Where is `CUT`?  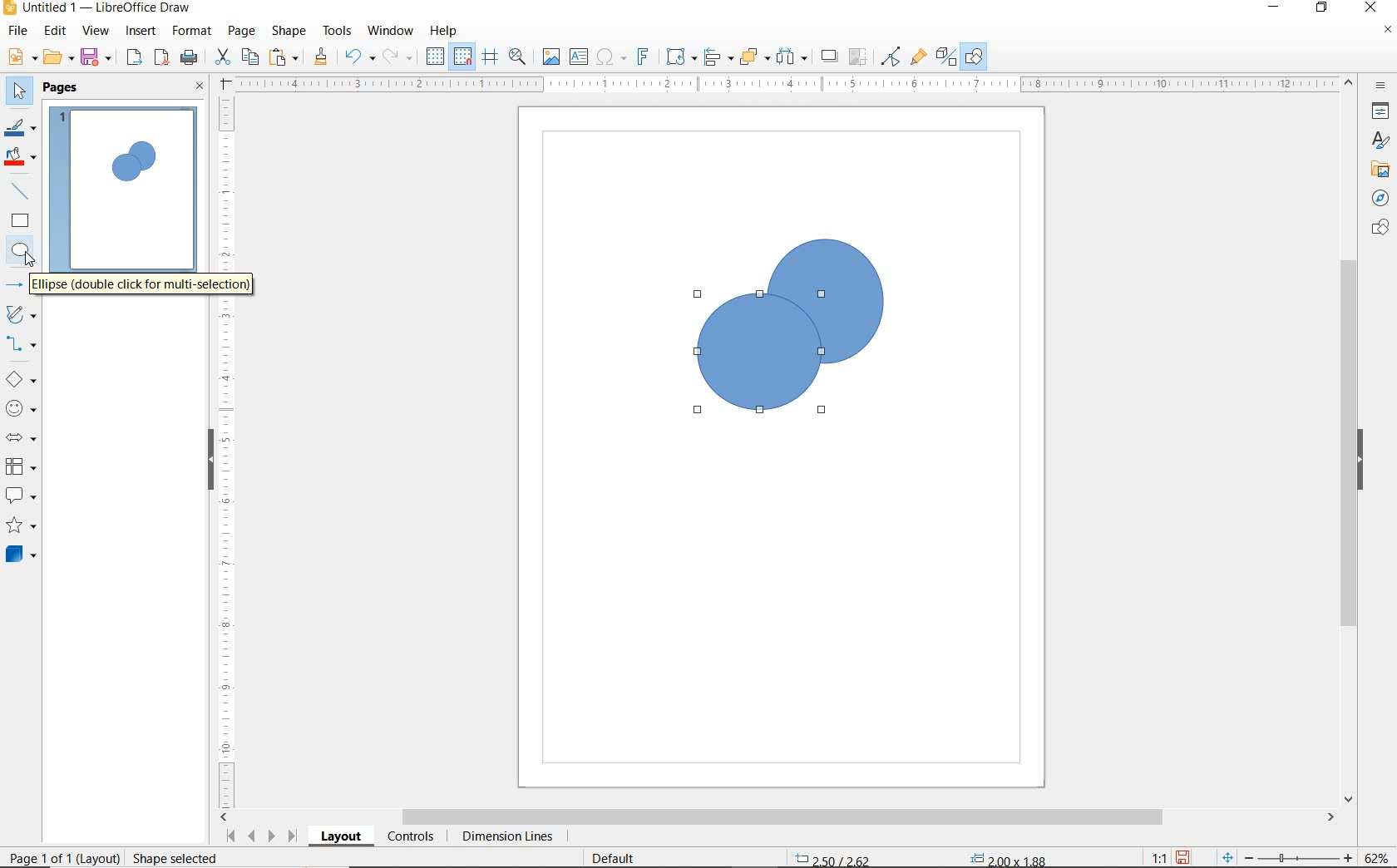 CUT is located at coordinates (223, 57).